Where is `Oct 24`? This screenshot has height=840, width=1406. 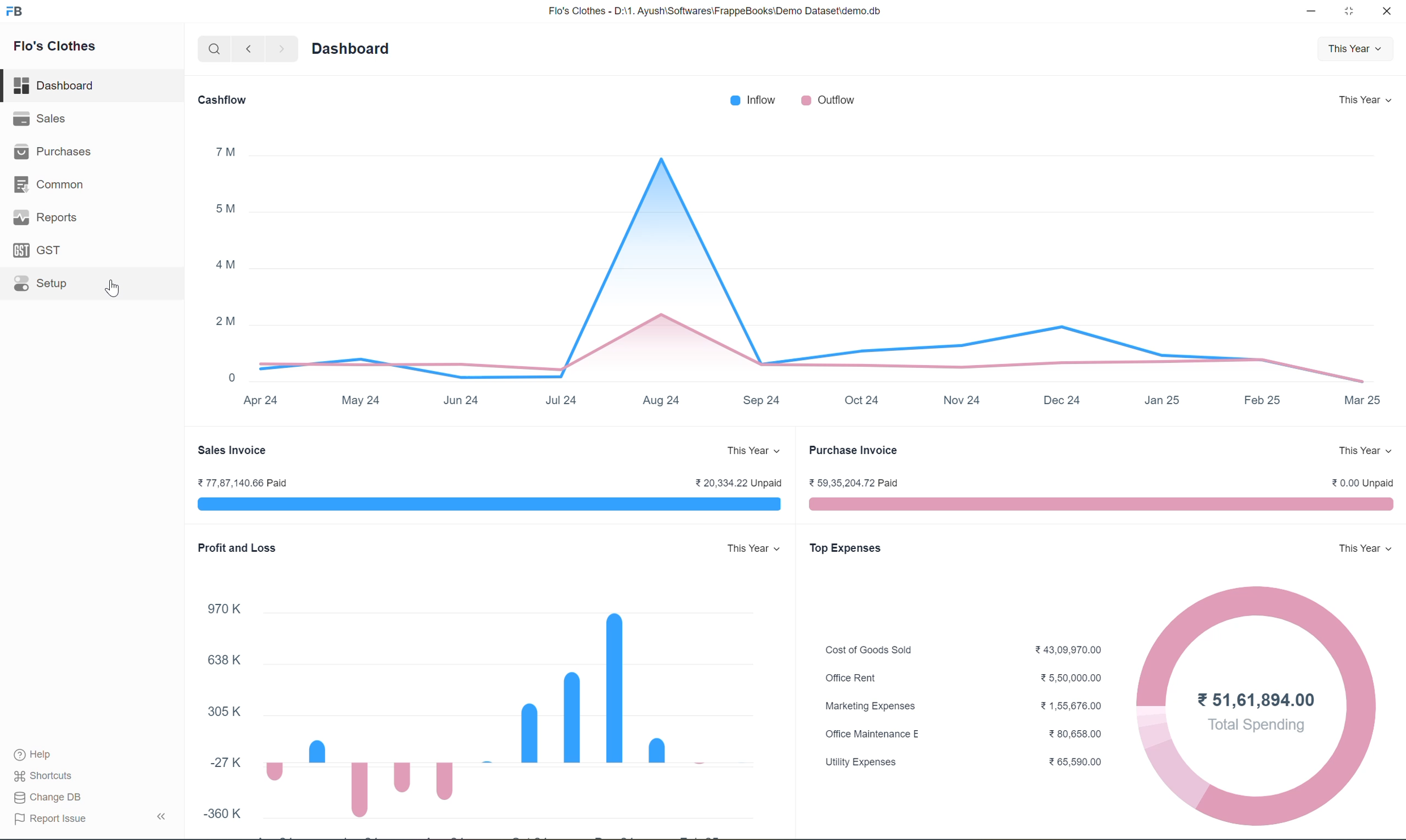 Oct 24 is located at coordinates (862, 399).